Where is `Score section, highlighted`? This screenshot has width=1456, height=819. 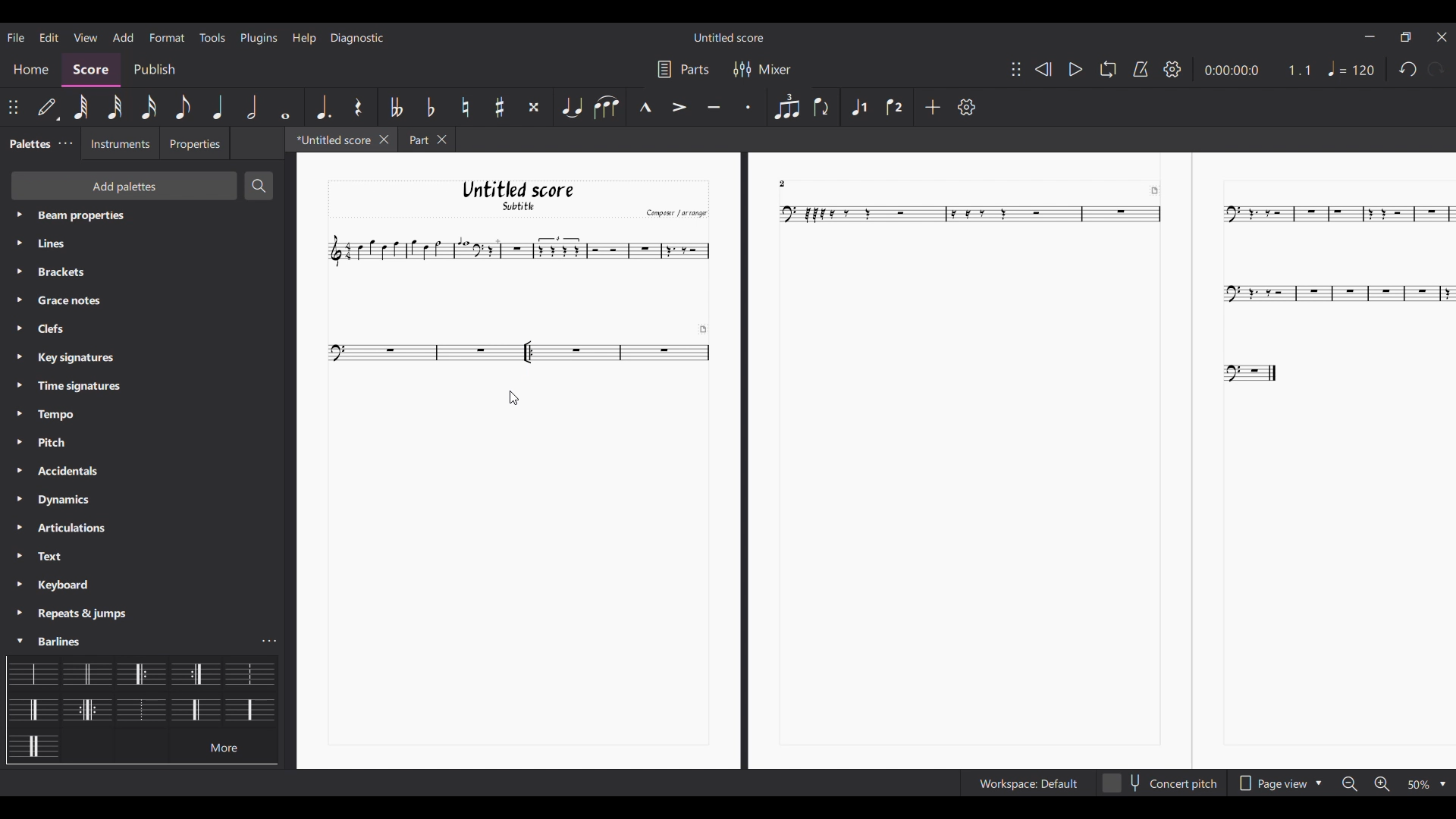
Score section, highlighted is located at coordinates (92, 71).